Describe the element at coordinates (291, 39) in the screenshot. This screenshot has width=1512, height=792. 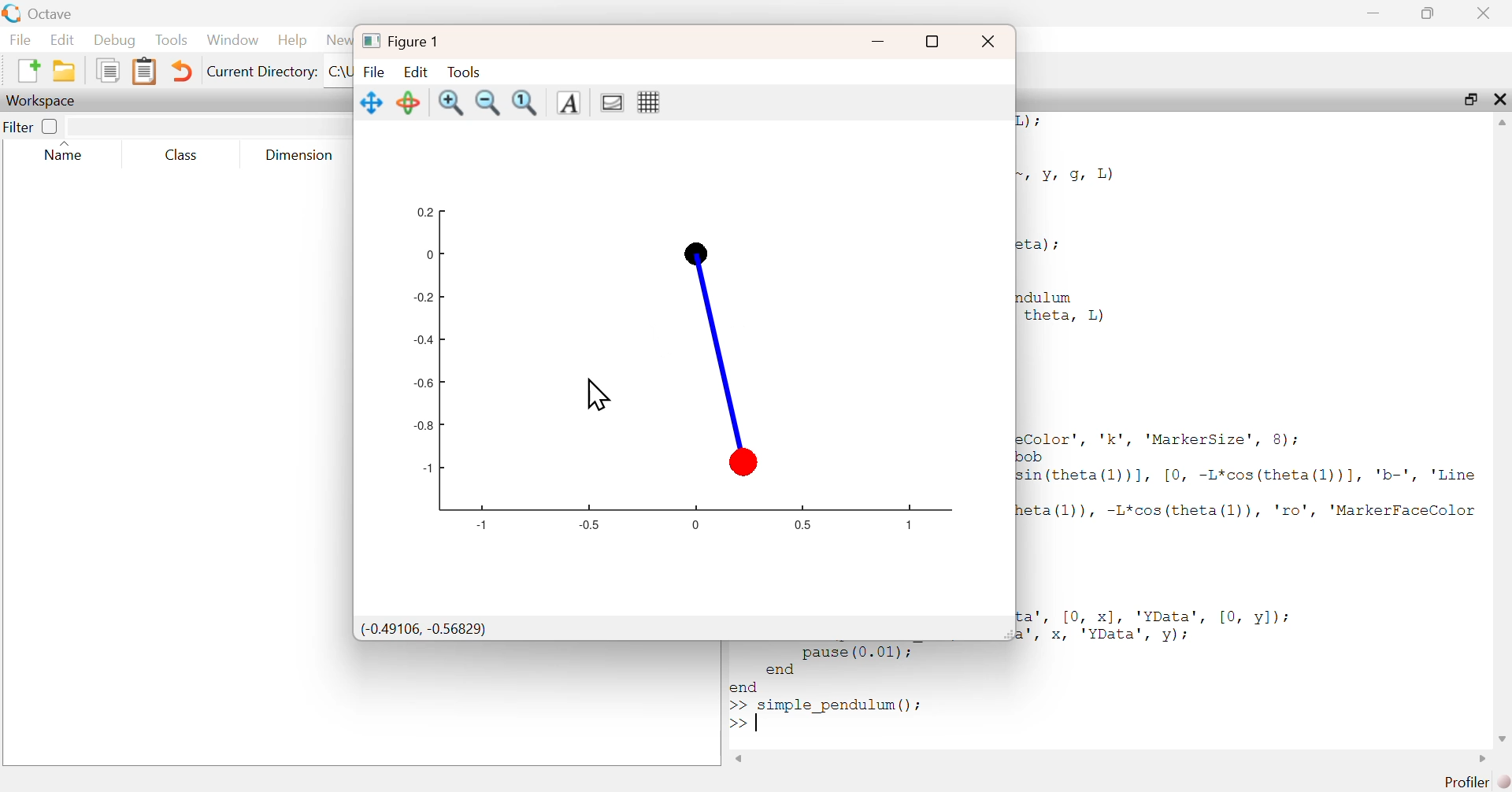
I see `Help` at that location.